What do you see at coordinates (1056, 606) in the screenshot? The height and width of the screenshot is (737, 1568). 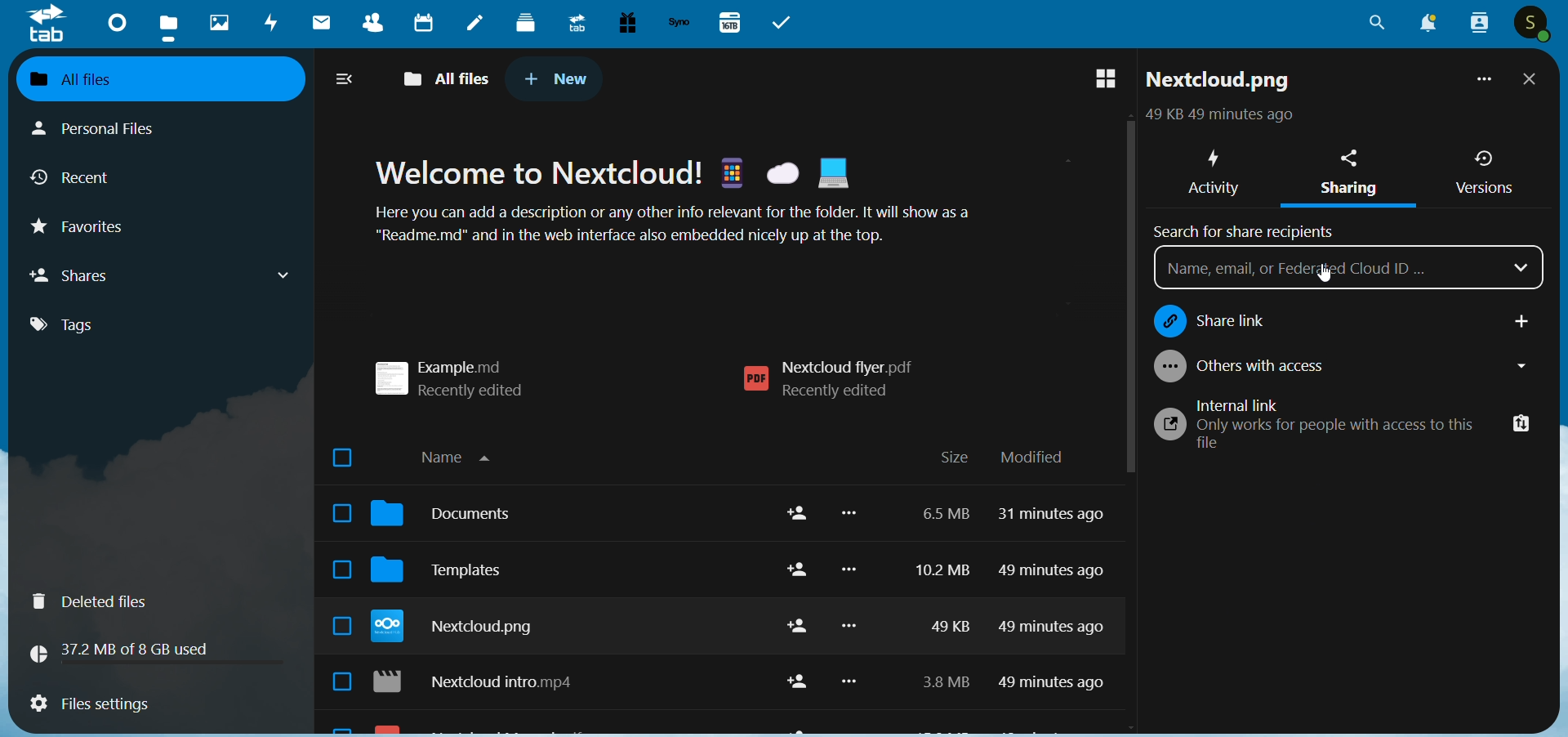 I see `modified time` at bounding box center [1056, 606].